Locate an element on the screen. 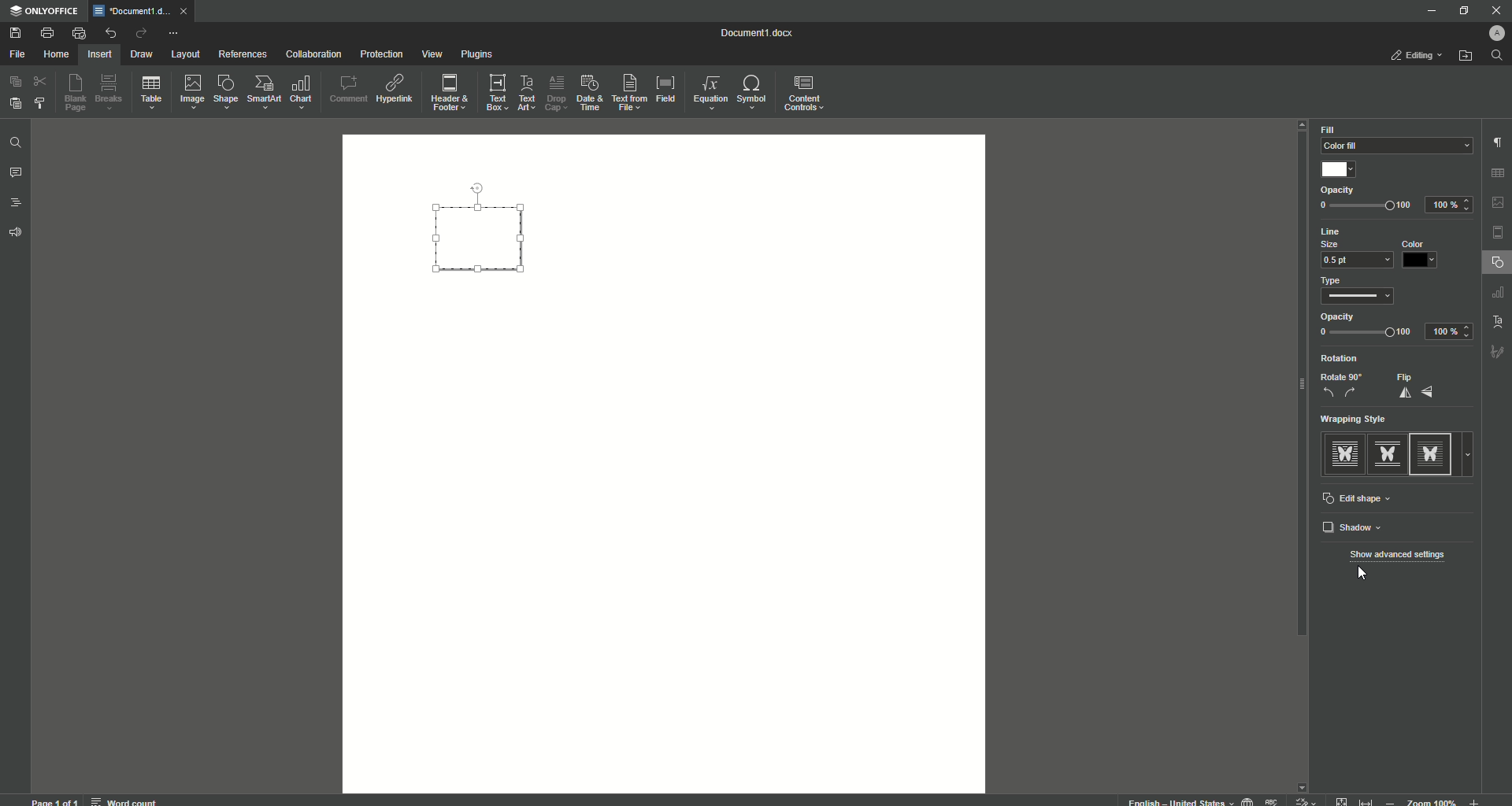 This screenshot has height=806, width=1512. image is located at coordinates (1499, 202).